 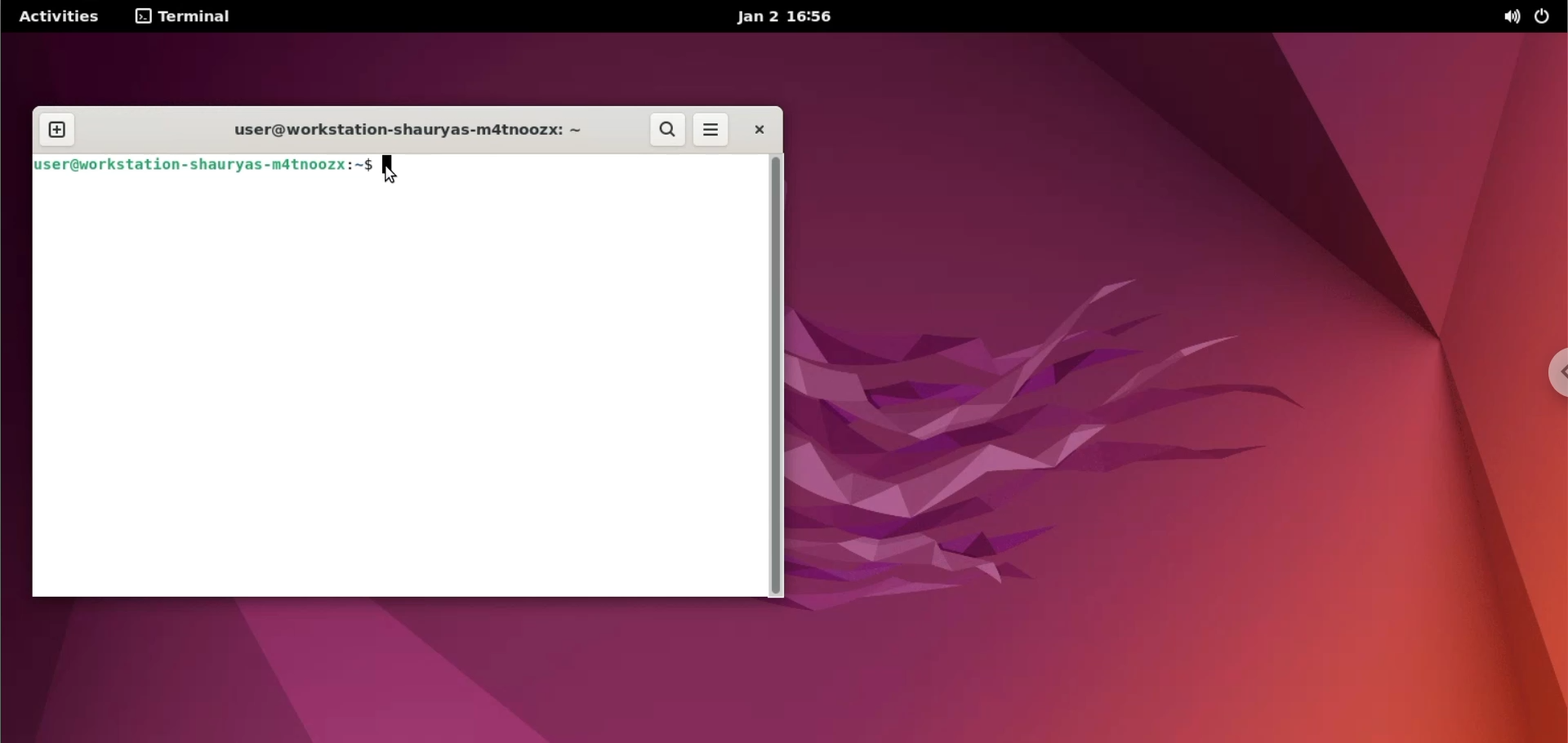 What do you see at coordinates (791, 18) in the screenshot?
I see `Jan 2 16:56` at bounding box center [791, 18].